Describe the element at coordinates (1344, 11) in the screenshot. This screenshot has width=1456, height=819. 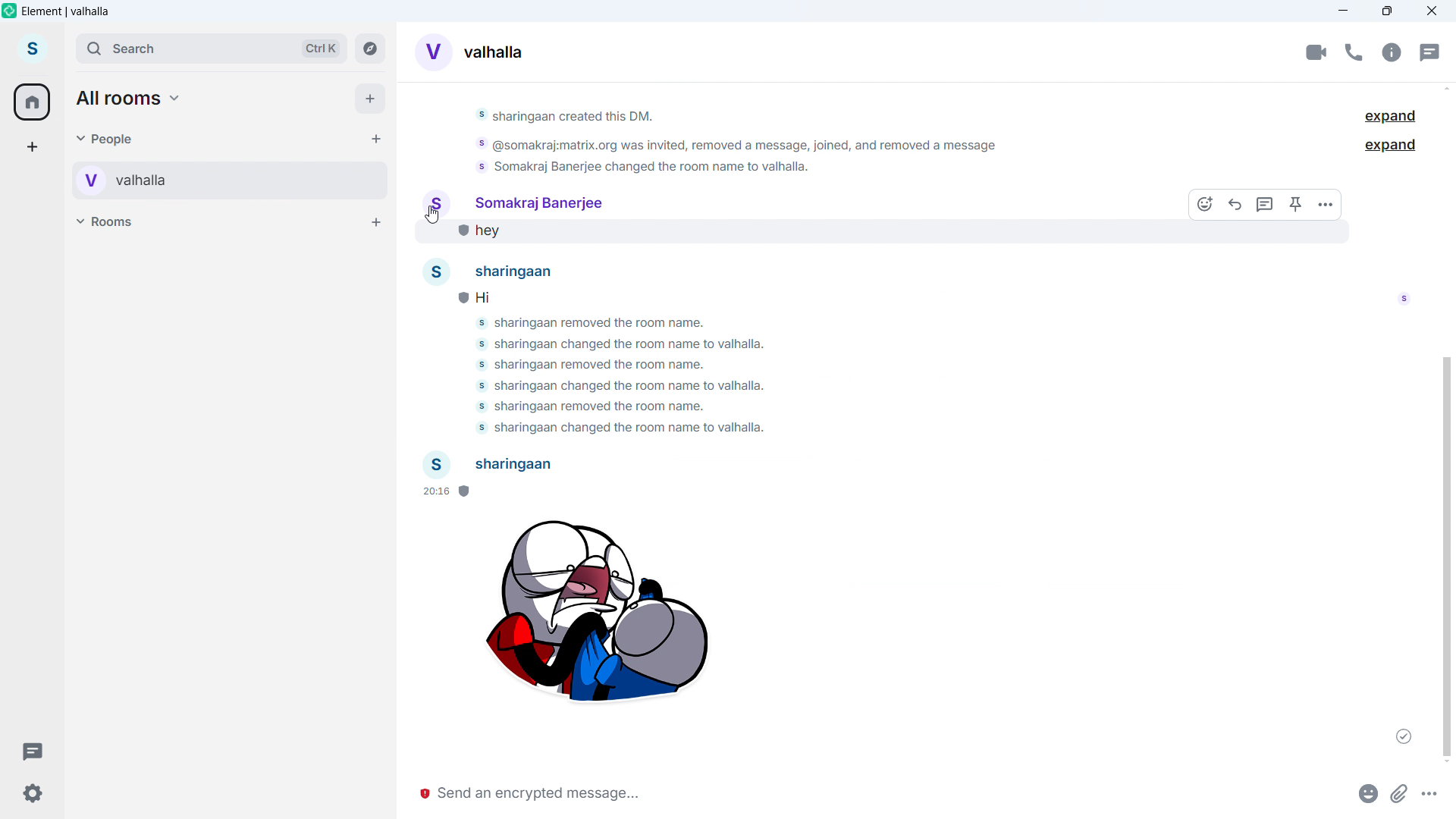
I see `minimize` at that location.